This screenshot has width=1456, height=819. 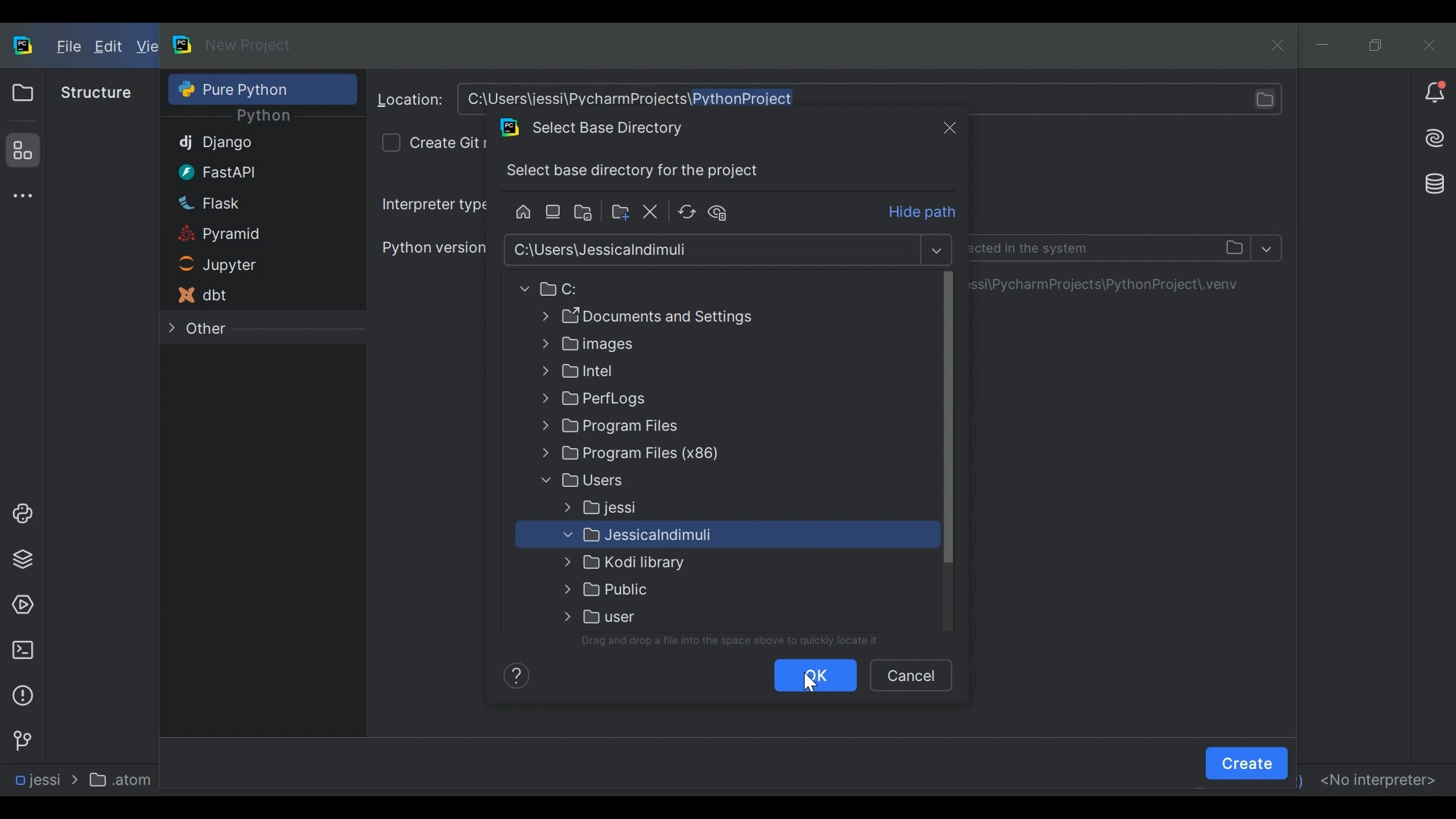 I want to click on Info, so click(x=513, y=674).